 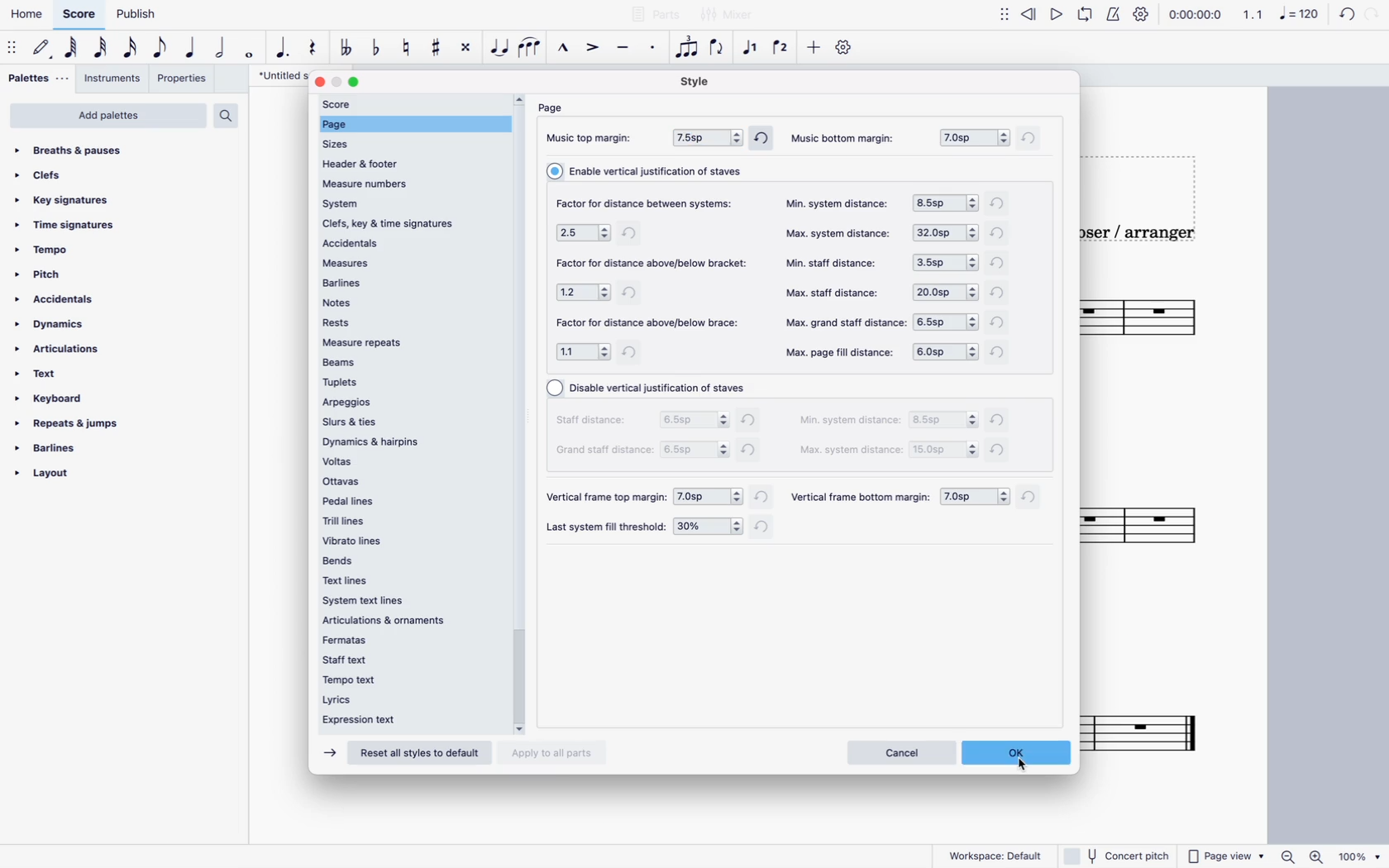 I want to click on half note, so click(x=218, y=50).